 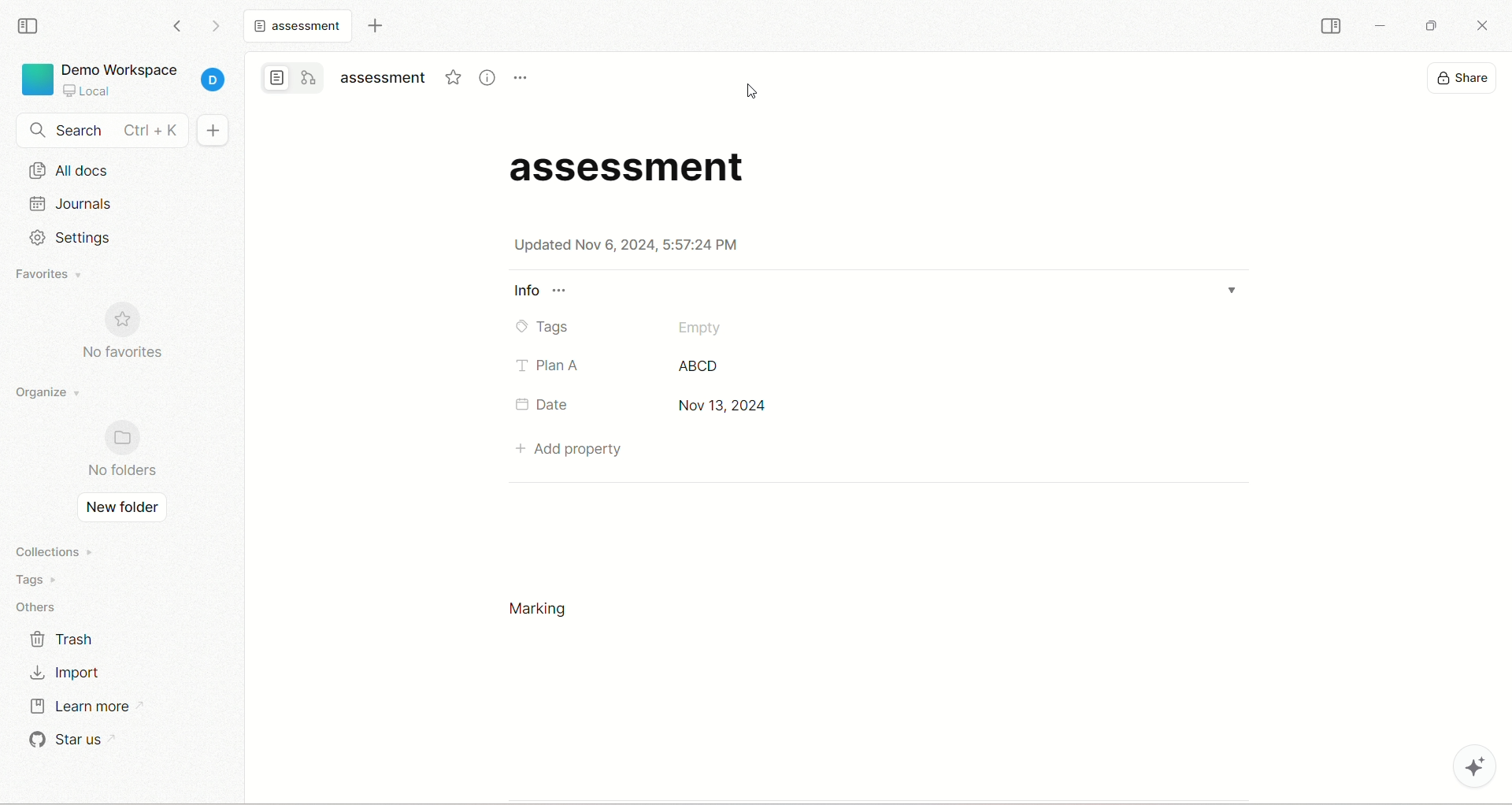 What do you see at coordinates (273, 79) in the screenshot?
I see `page mode` at bounding box center [273, 79].